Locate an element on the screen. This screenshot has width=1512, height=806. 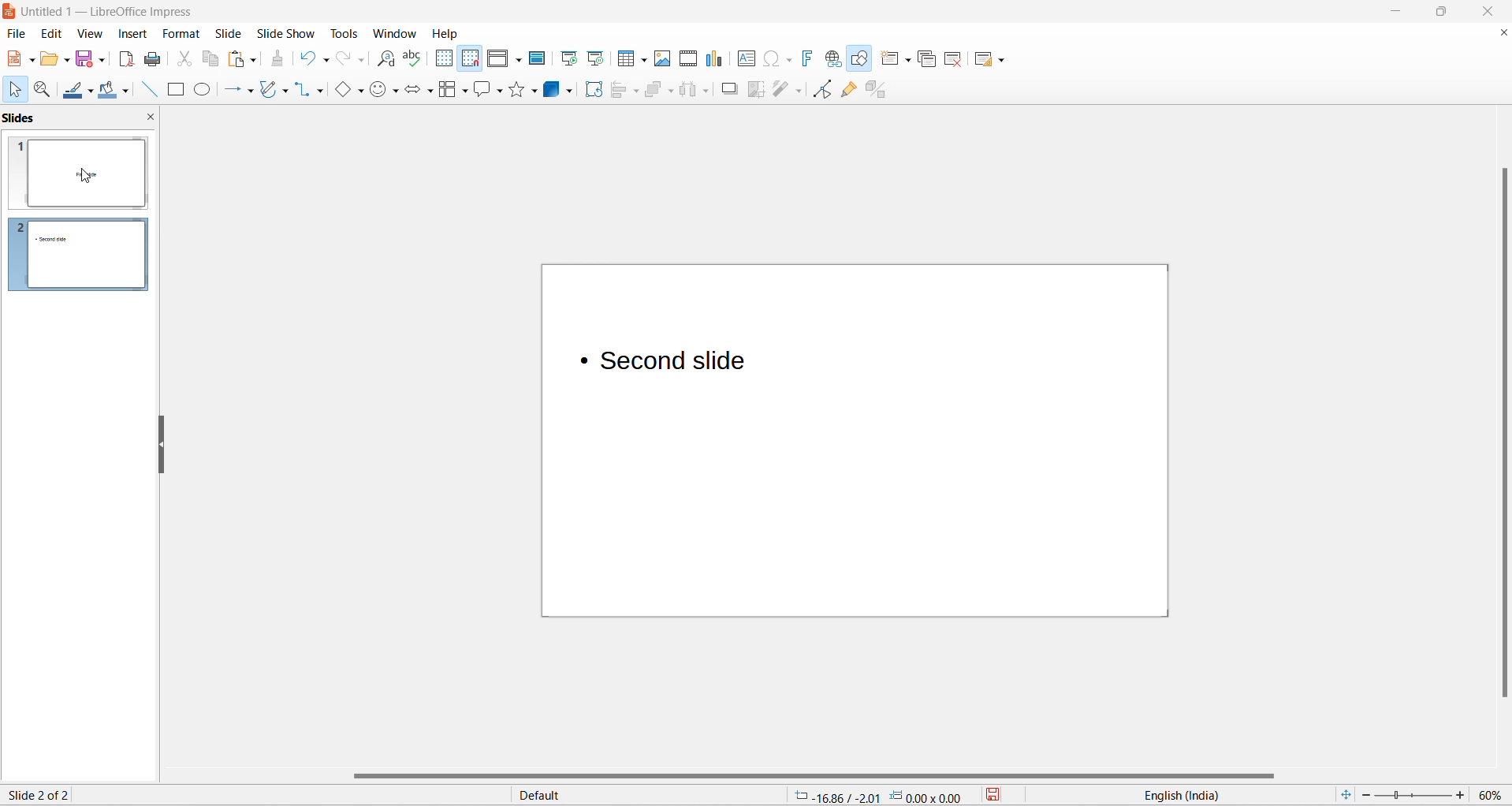
star is located at coordinates (515, 89).